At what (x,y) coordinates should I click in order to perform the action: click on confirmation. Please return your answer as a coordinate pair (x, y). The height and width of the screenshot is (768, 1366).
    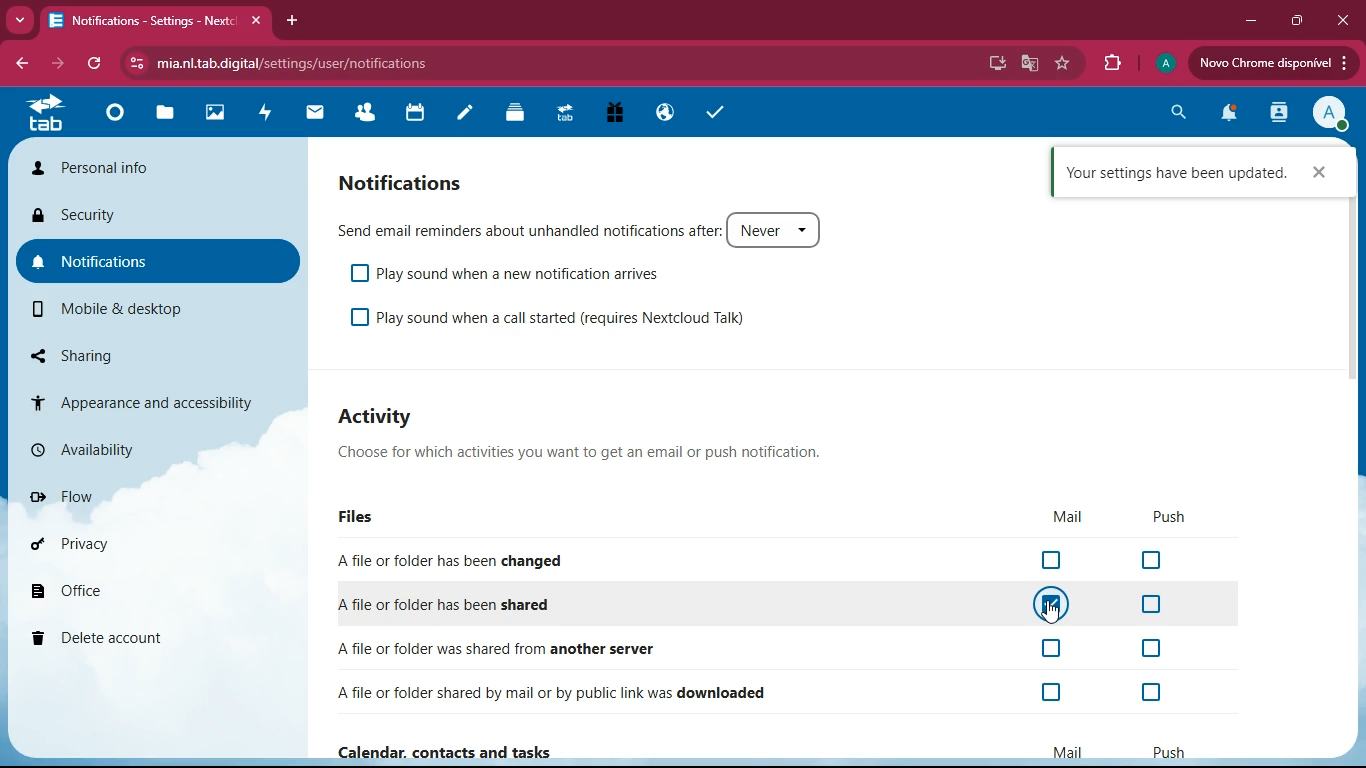
    Looking at the image, I should click on (1171, 171).